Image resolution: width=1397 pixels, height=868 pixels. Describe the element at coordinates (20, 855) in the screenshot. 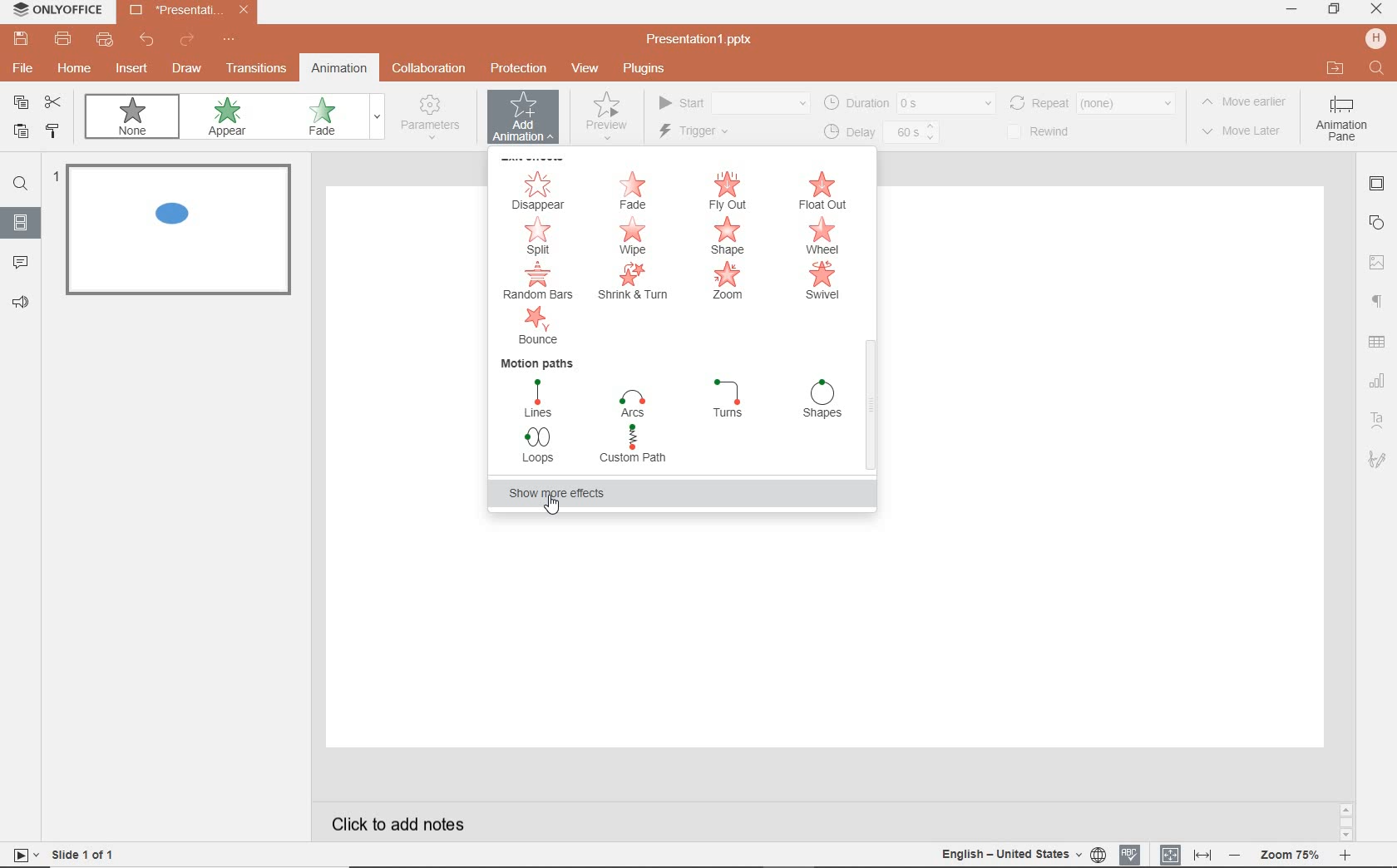

I see `start slide show` at that location.